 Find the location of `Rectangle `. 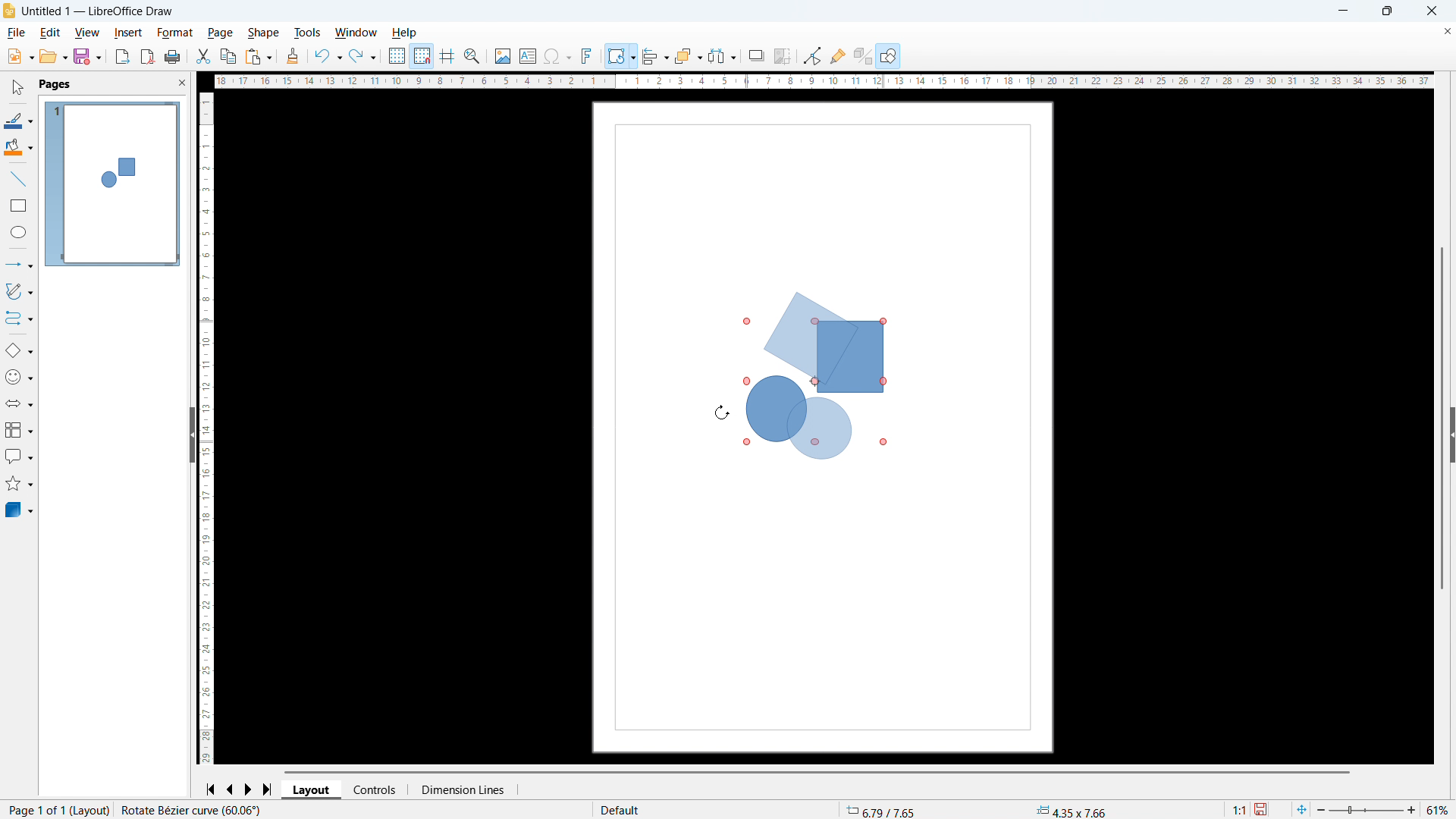

Rectangle  is located at coordinates (19, 206).